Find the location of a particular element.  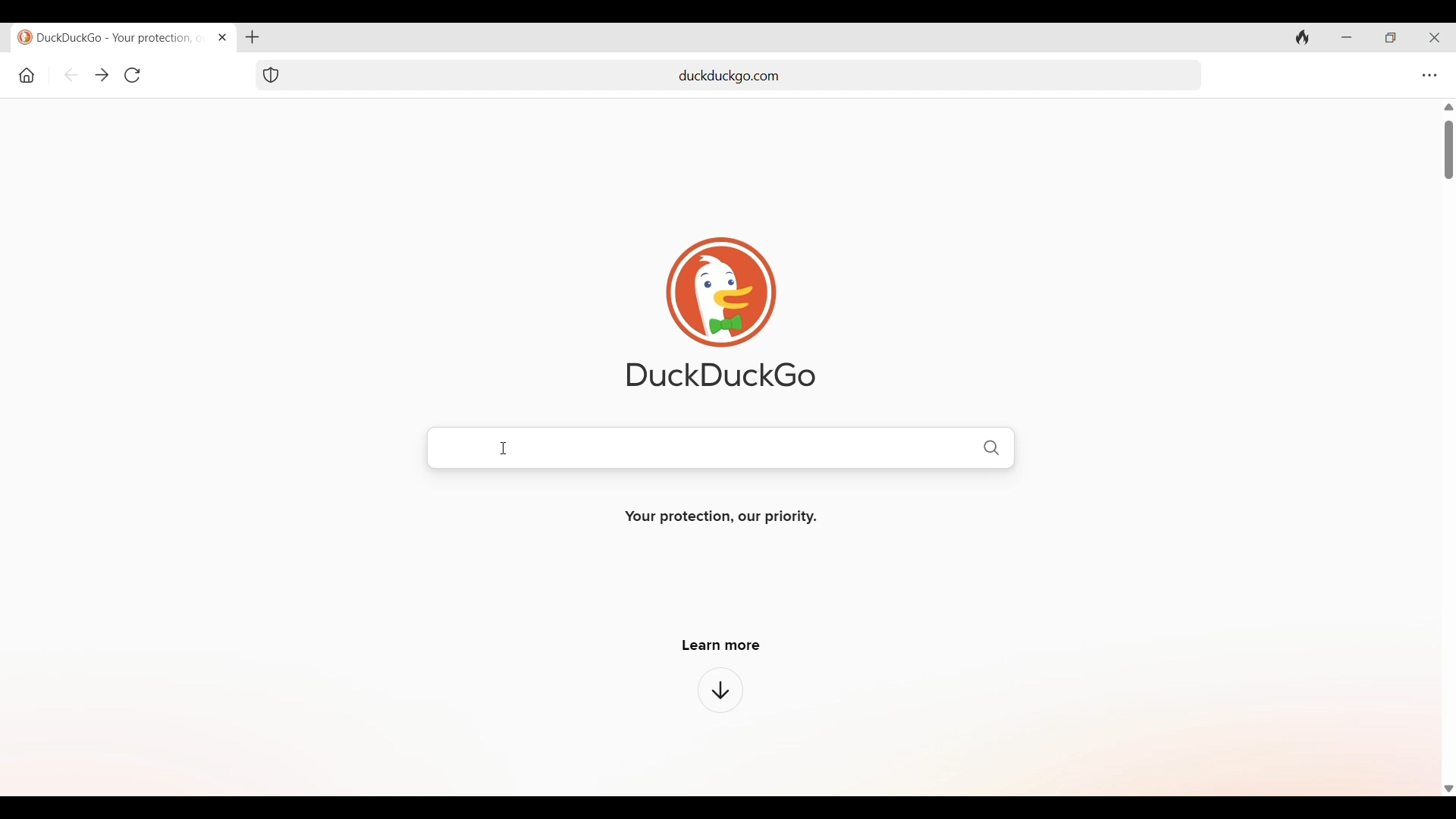

Clear history is located at coordinates (1302, 38).